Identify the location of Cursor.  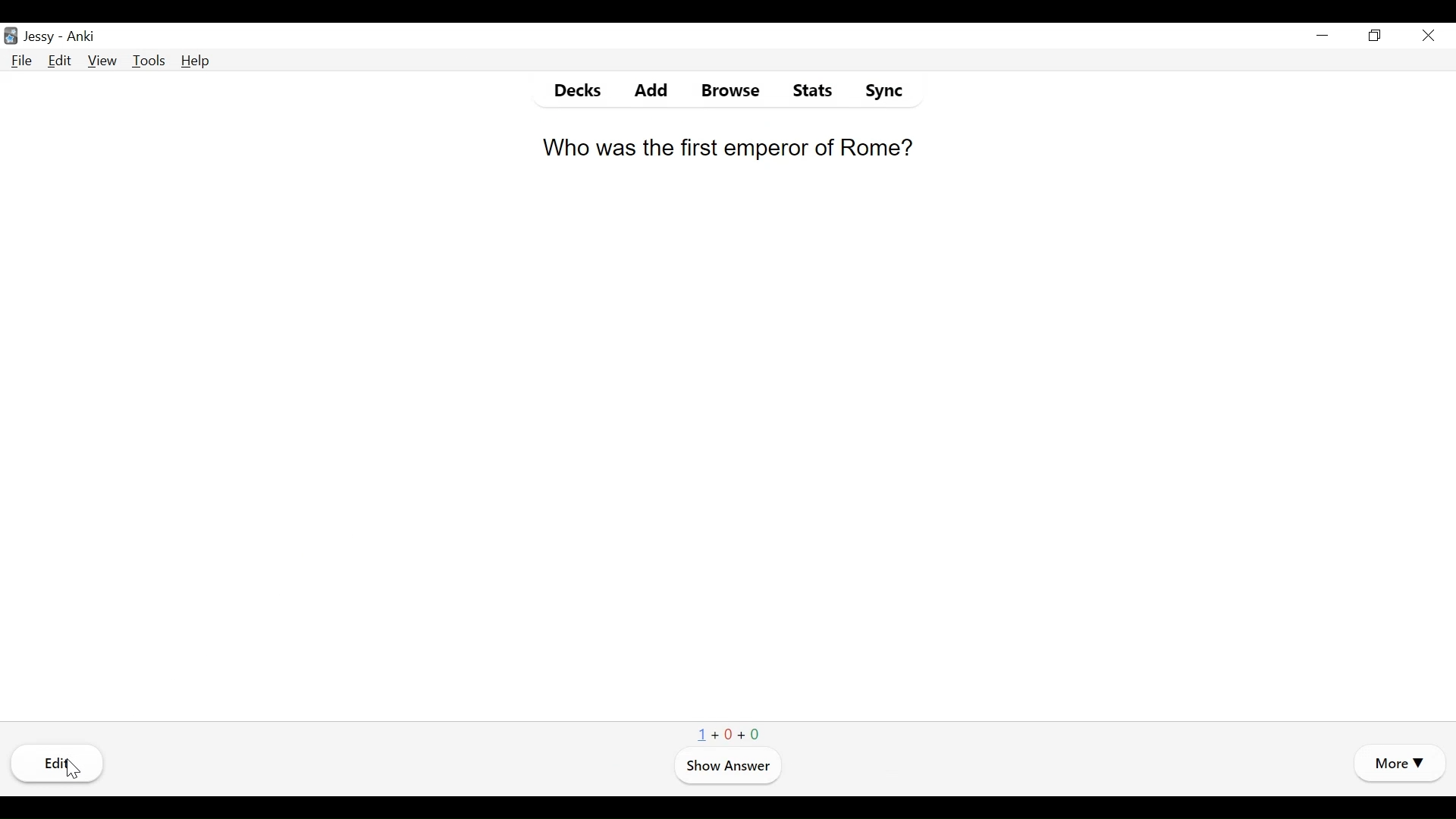
(74, 770).